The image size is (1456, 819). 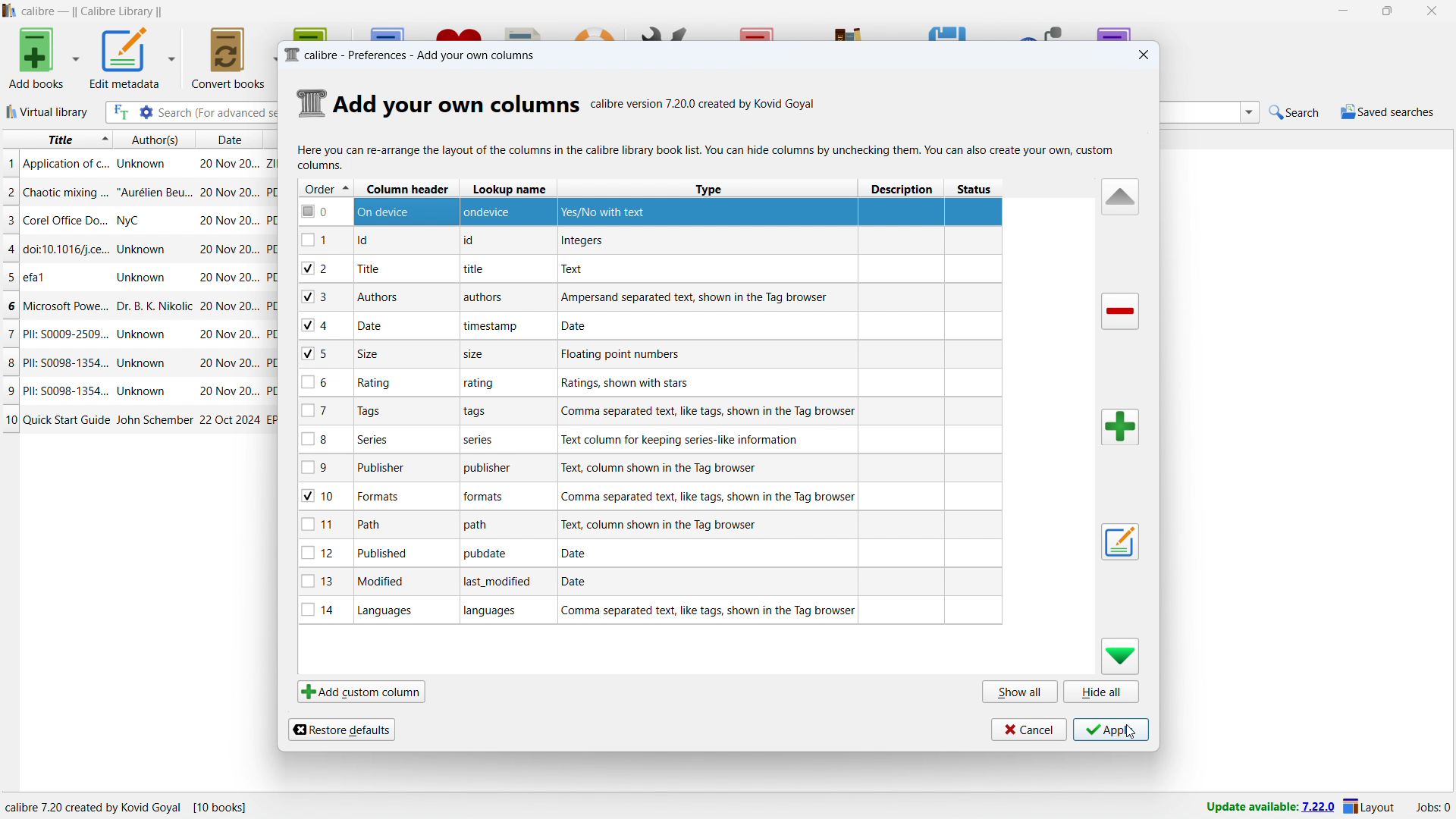 What do you see at coordinates (698, 297) in the screenshot?
I see `Ampersand separated text, shown in the Tag browser` at bounding box center [698, 297].